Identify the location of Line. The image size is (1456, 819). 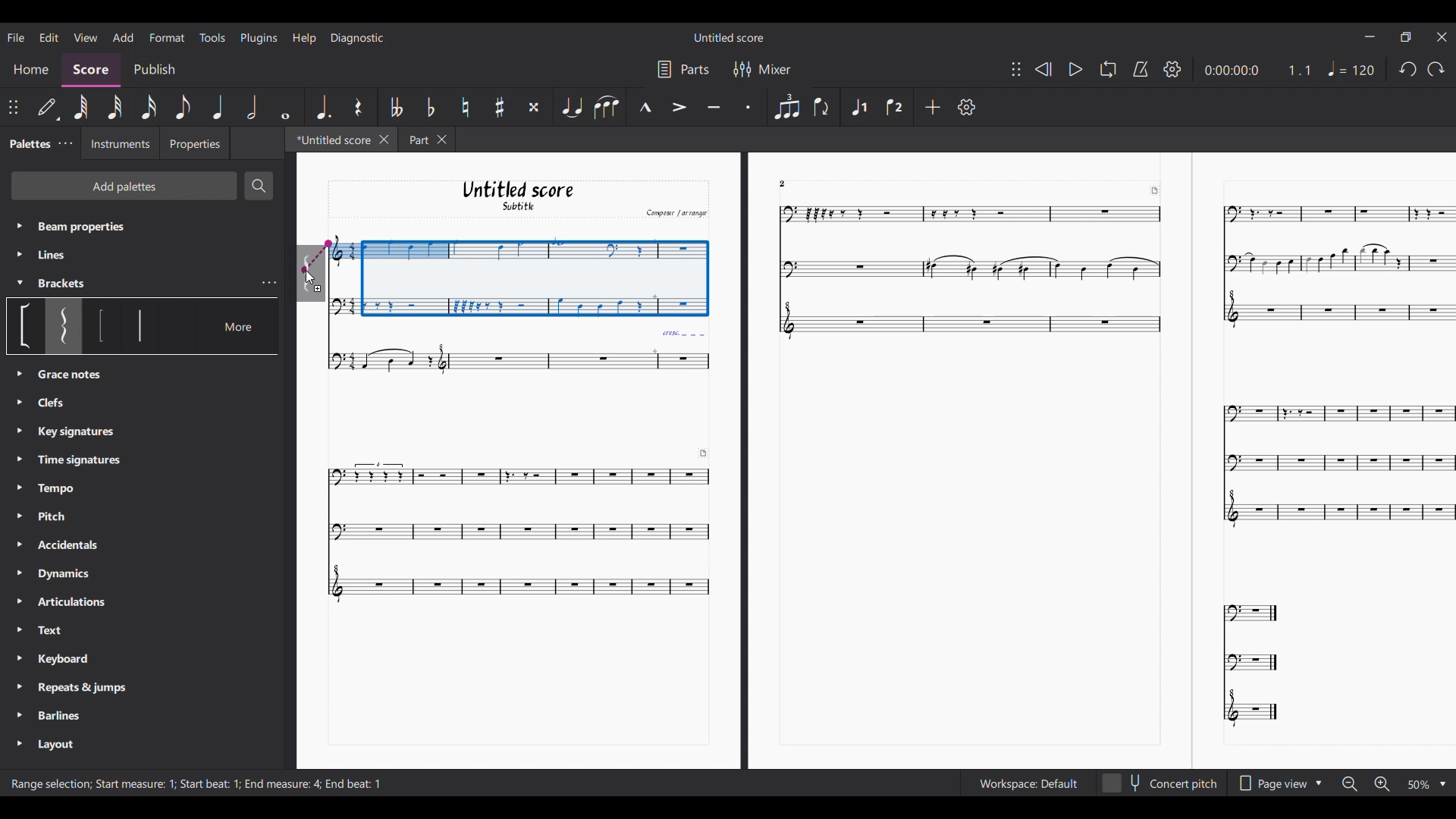
(65, 255).